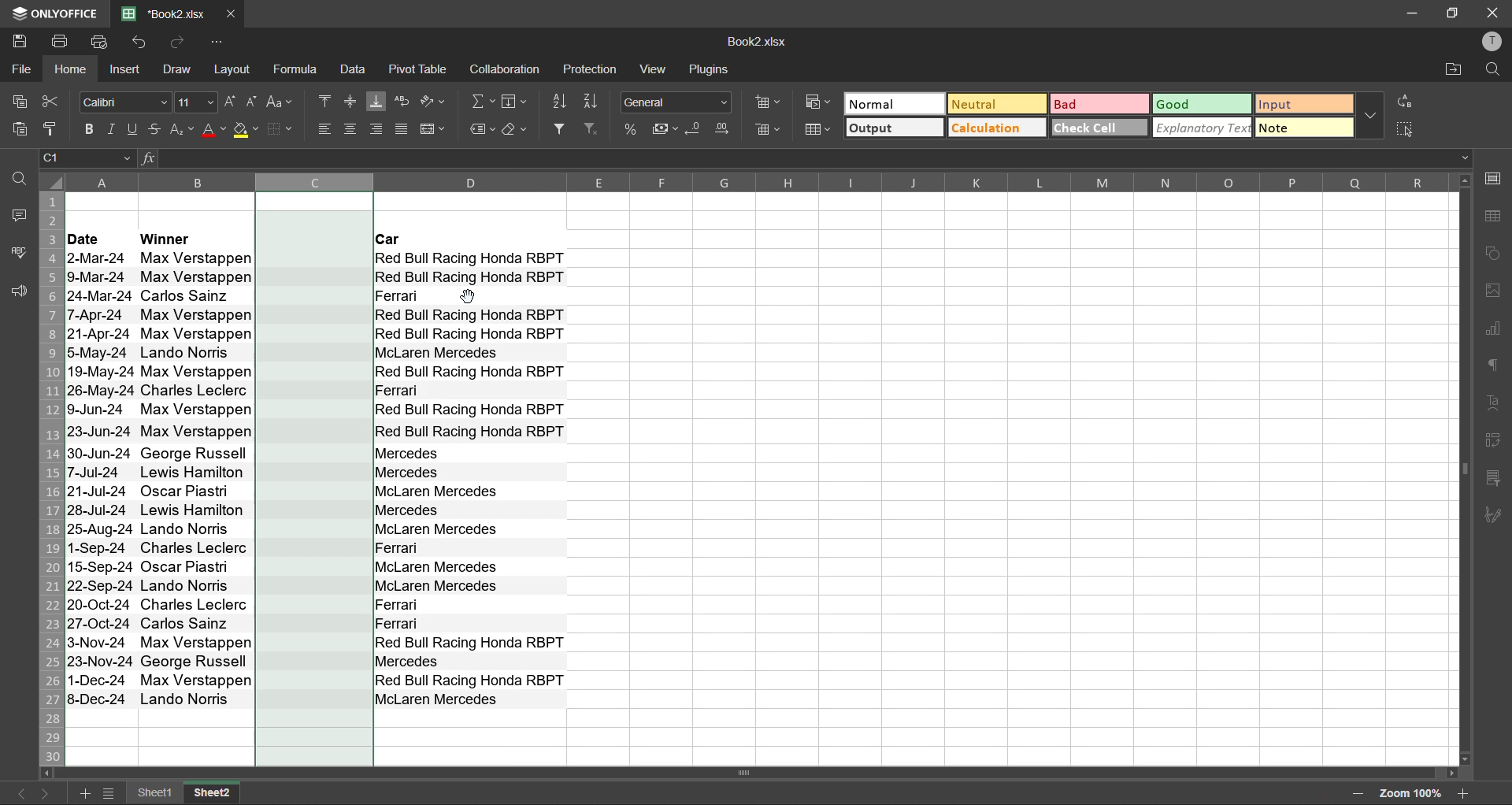  I want to click on row numbers, so click(52, 478).